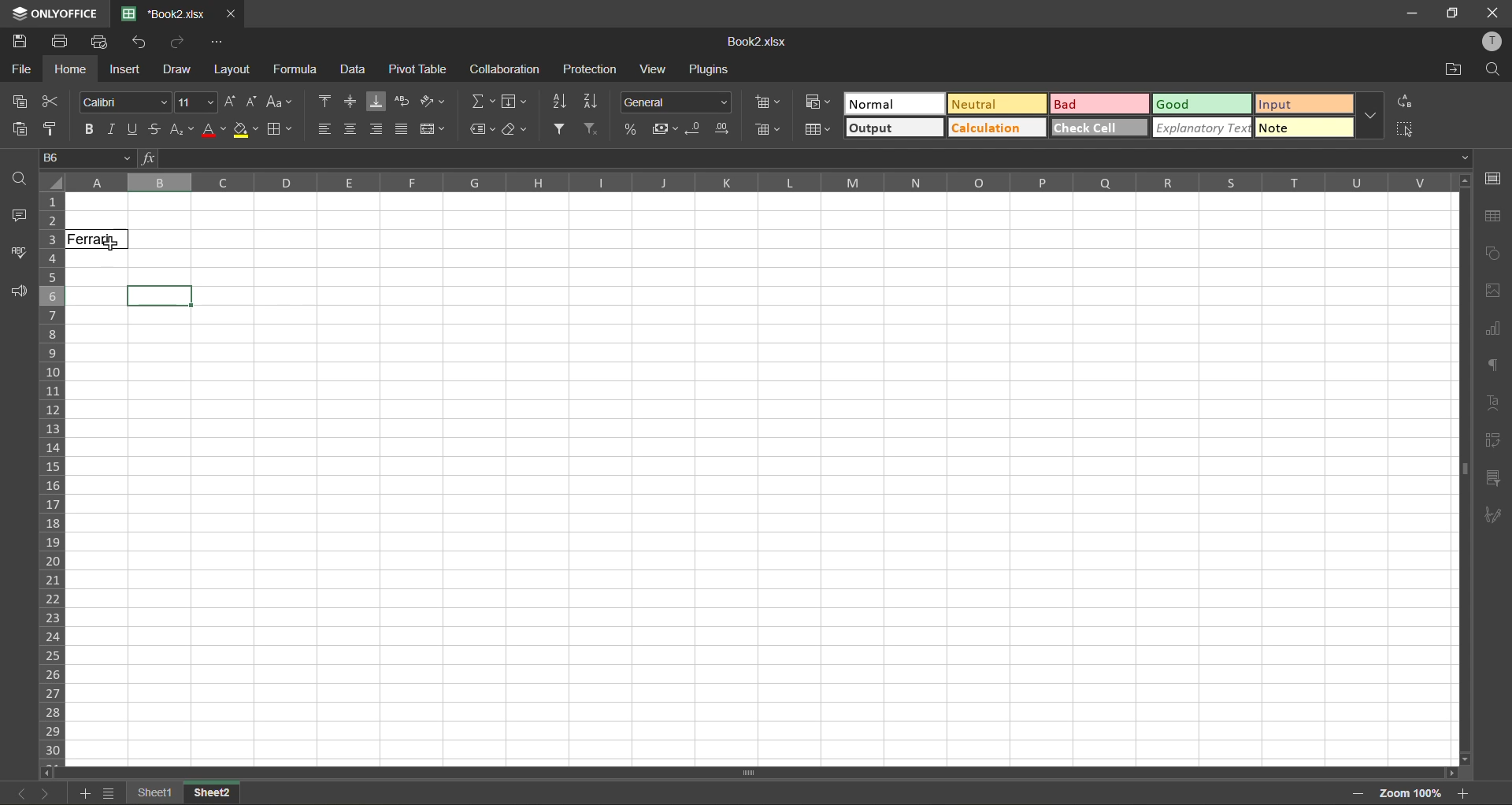 Image resolution: width=1512 pixels, height=805 pixels. What do you see at coordinates (1100, 104) in the screenshot?
I see `bad` at bounding box center [1100, 104].